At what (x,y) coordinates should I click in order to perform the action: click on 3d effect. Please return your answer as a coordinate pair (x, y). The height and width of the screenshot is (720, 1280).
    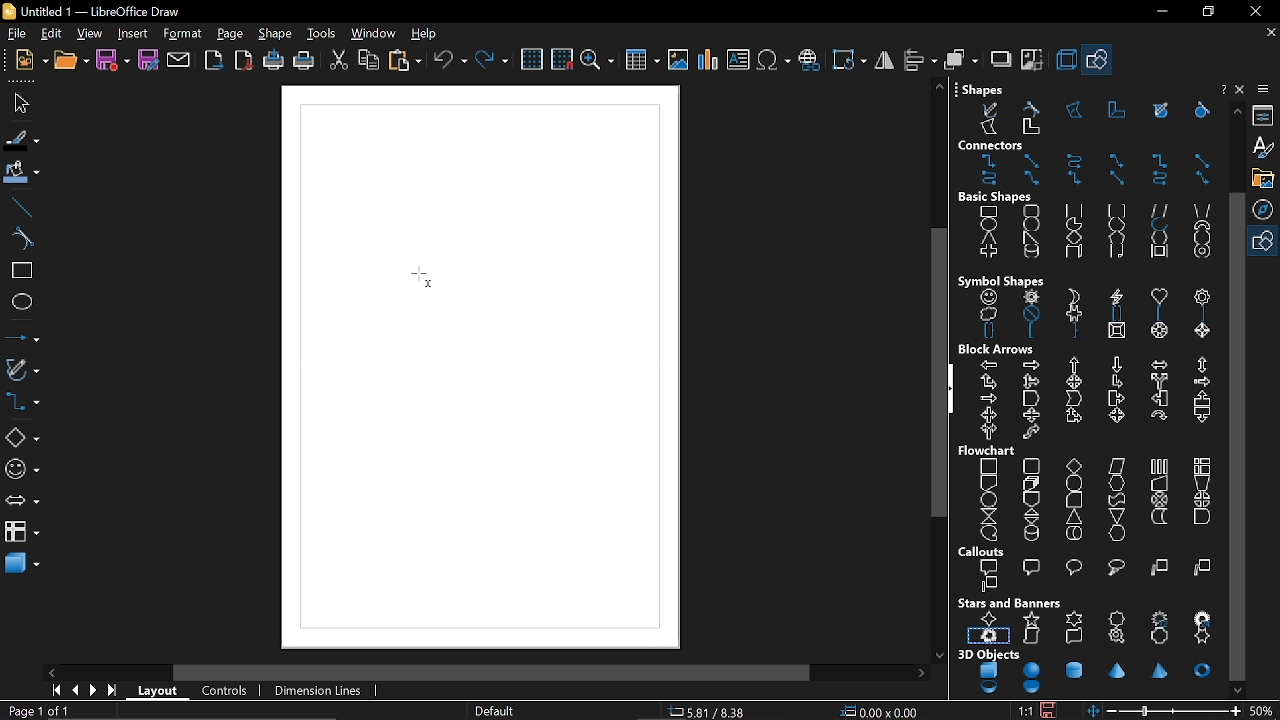
    Looking at the image, I should click on (1065, 60).